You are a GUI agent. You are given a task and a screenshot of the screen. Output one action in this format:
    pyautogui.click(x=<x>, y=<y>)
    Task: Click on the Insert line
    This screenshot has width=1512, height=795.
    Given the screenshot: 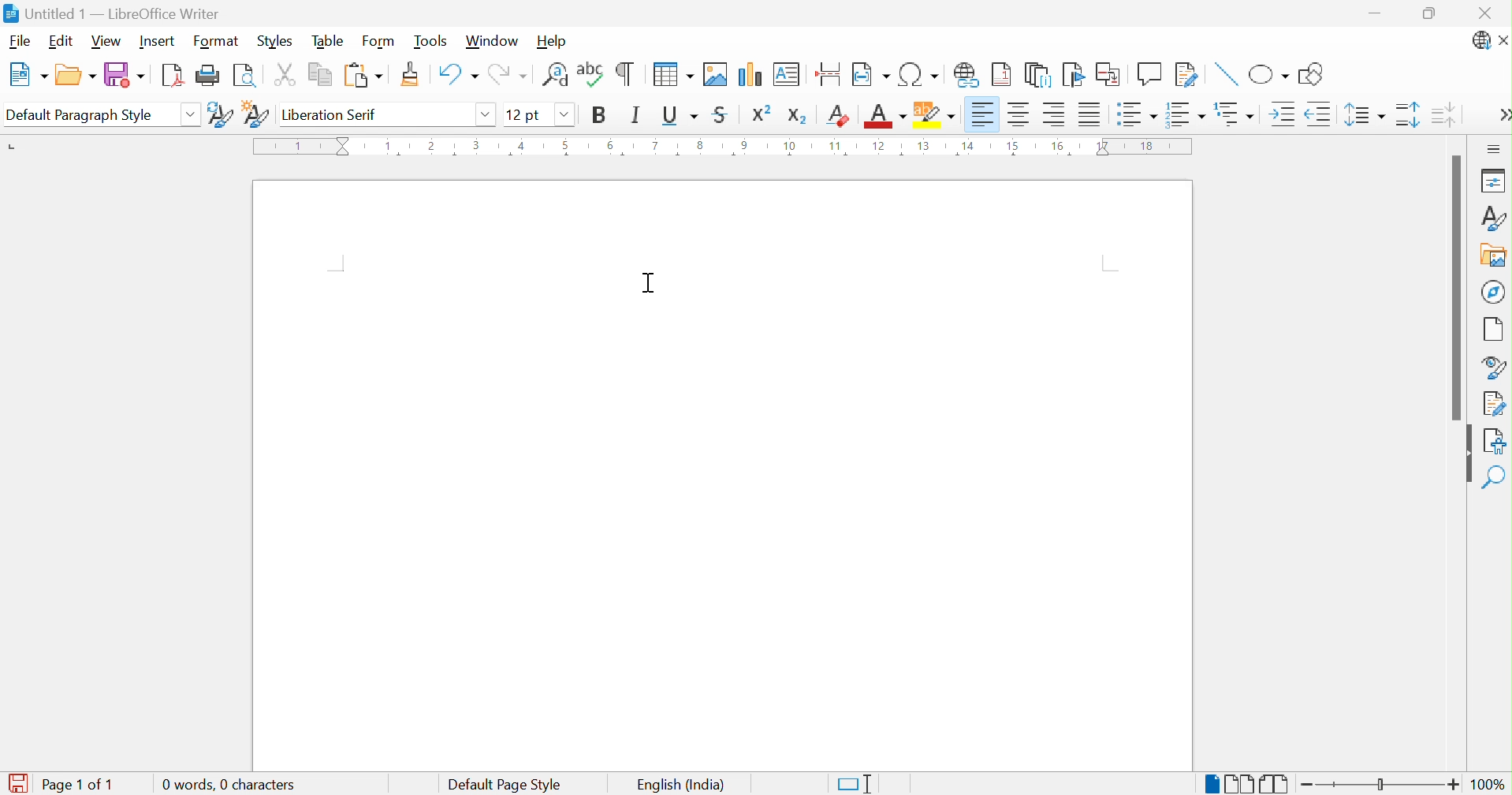 What is the action you would take?
    pyautogui.click(x=1227, y=77)
    